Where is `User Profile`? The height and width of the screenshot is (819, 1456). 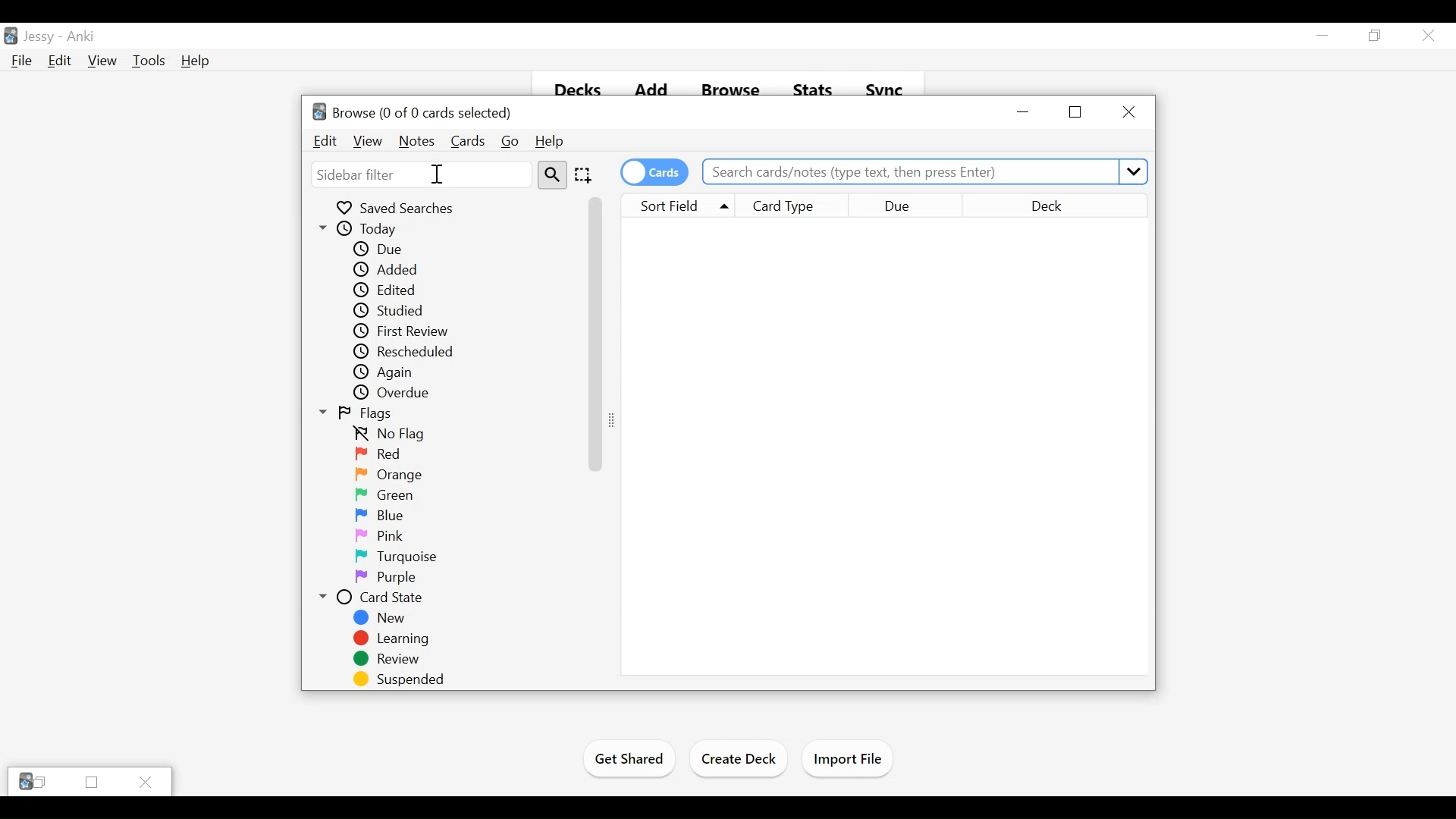
User Profile is located at coordinates (39, 38).